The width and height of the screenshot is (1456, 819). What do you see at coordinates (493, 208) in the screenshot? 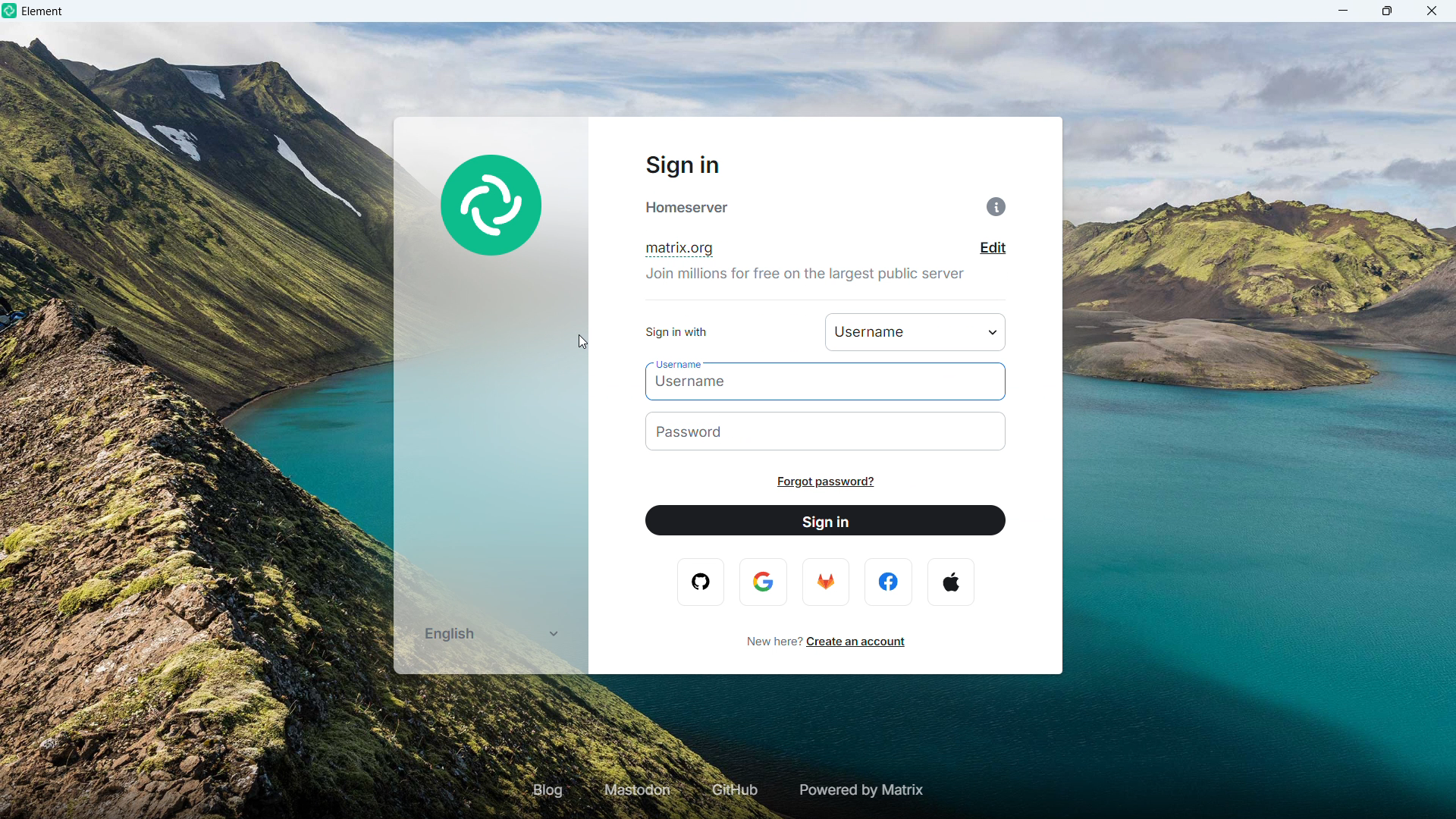
I see `element Logo ` at bounding box center [493, 208].